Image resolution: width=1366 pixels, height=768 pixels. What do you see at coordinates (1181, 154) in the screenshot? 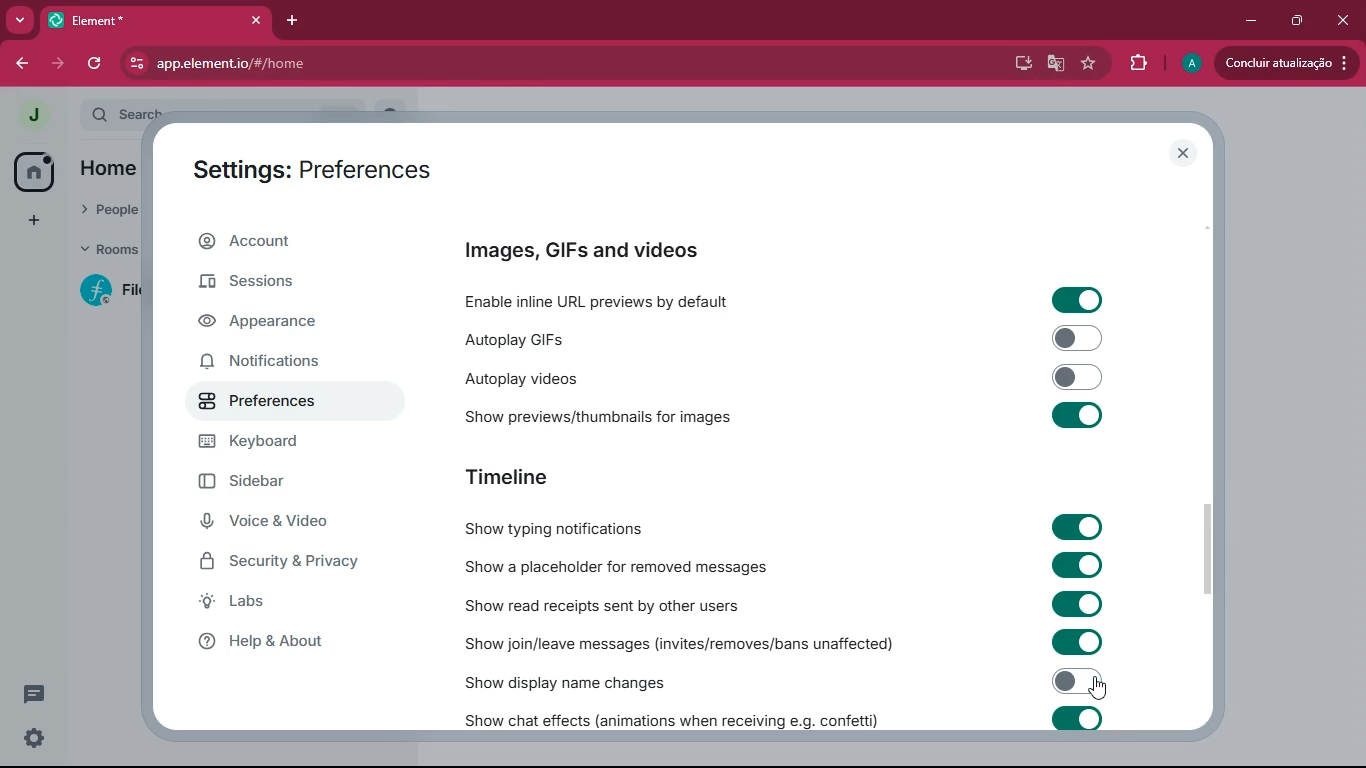
I see `close` at bounding box center [1181, 154].